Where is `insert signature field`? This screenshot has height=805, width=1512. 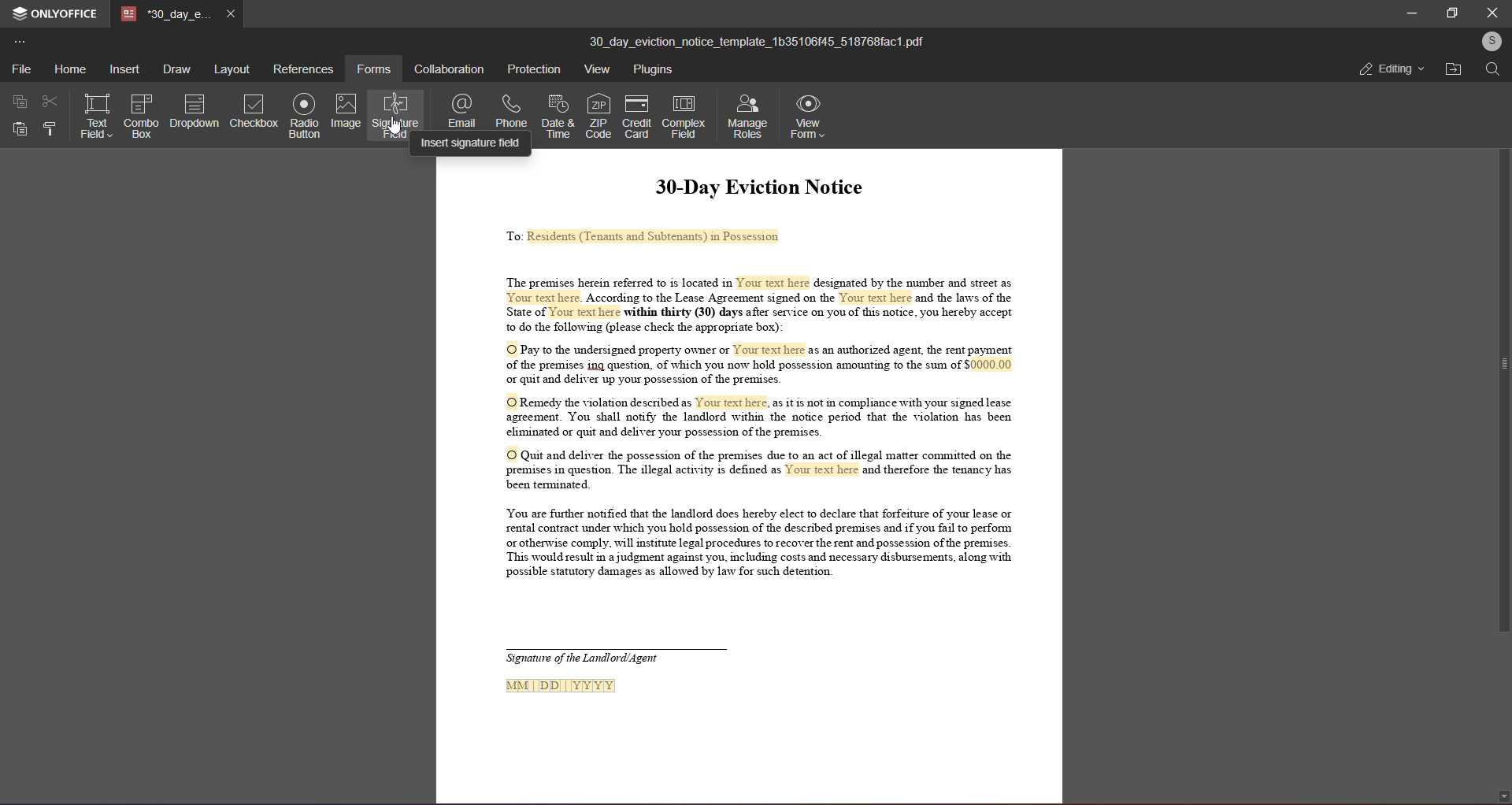
insert signature field is located at coordinates (472, 143).